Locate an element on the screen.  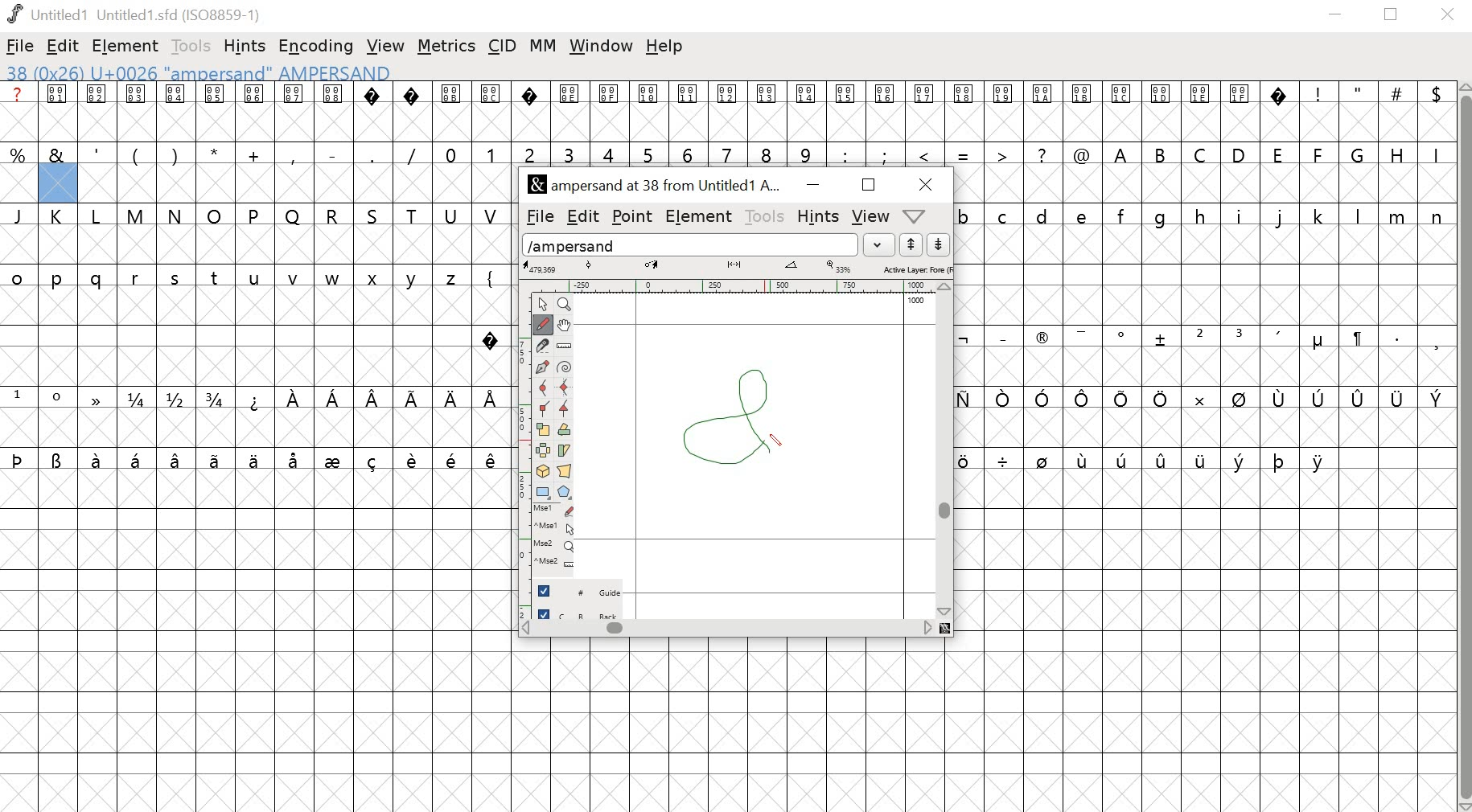
close is located at coordinates (1450, 15).